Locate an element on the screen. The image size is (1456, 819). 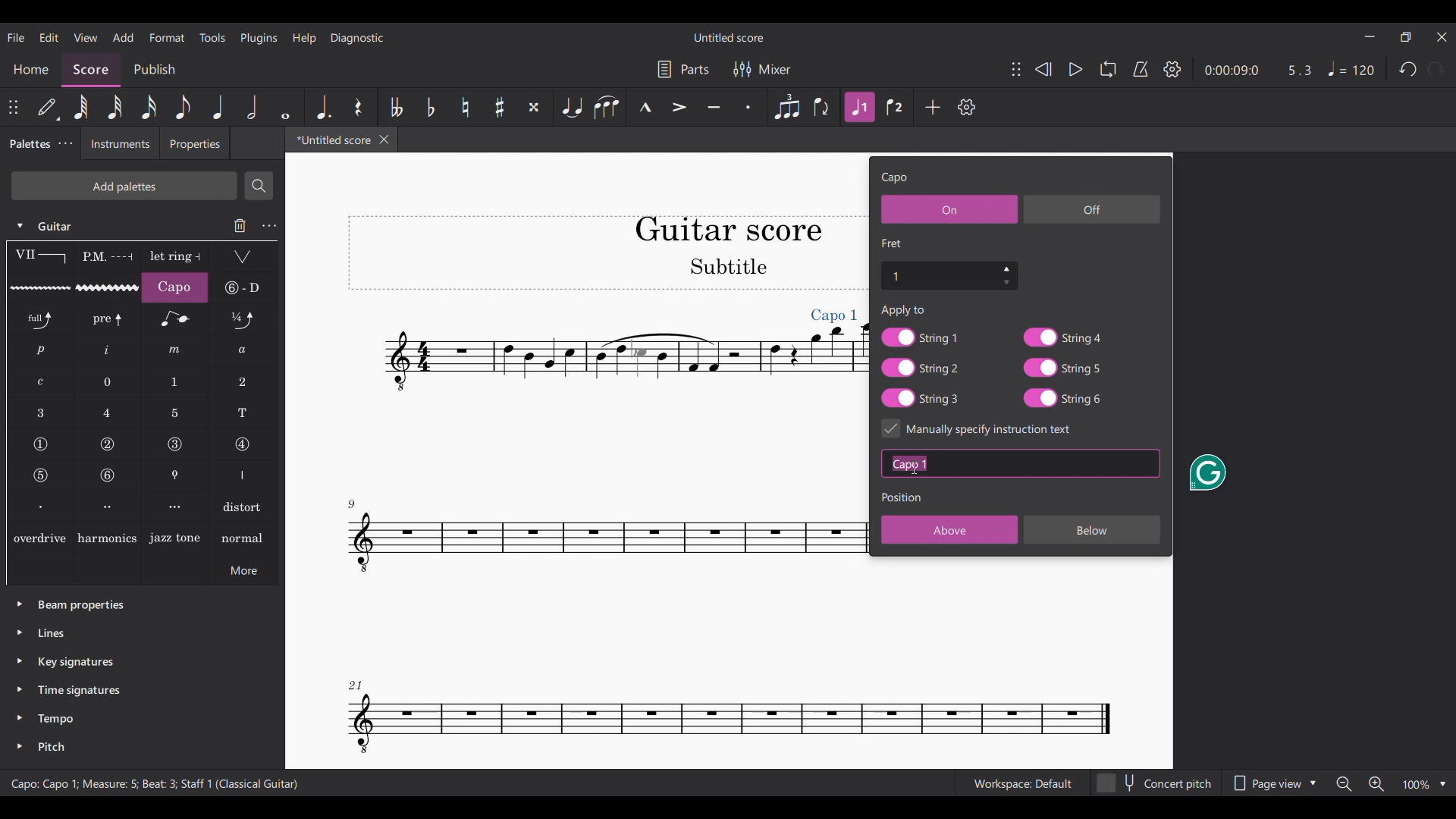
Cursor is located at coordinates (915, 468).